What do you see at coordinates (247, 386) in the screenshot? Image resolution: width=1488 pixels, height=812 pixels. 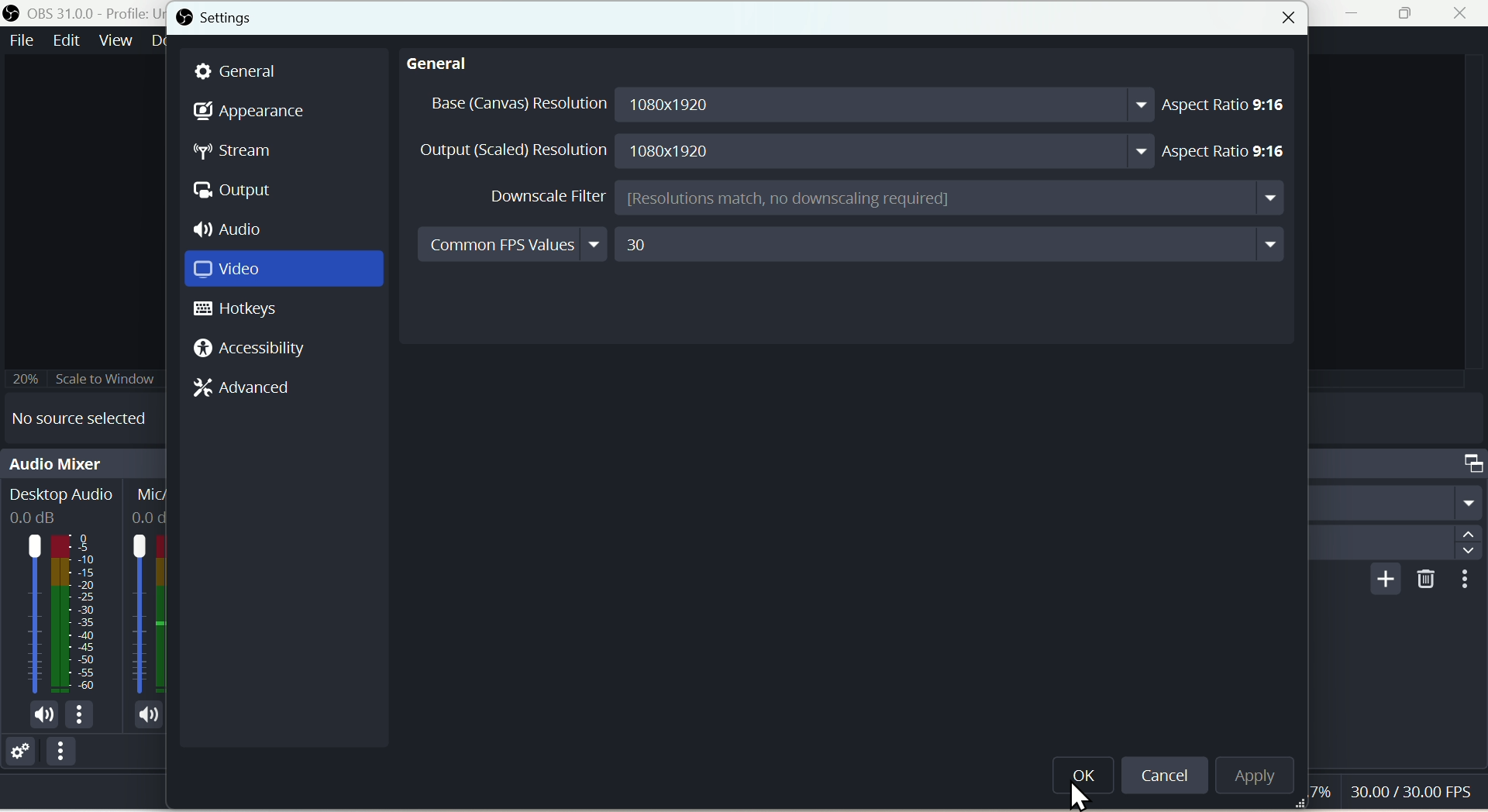 I see `Advanced` at bounding box center [247, 386].